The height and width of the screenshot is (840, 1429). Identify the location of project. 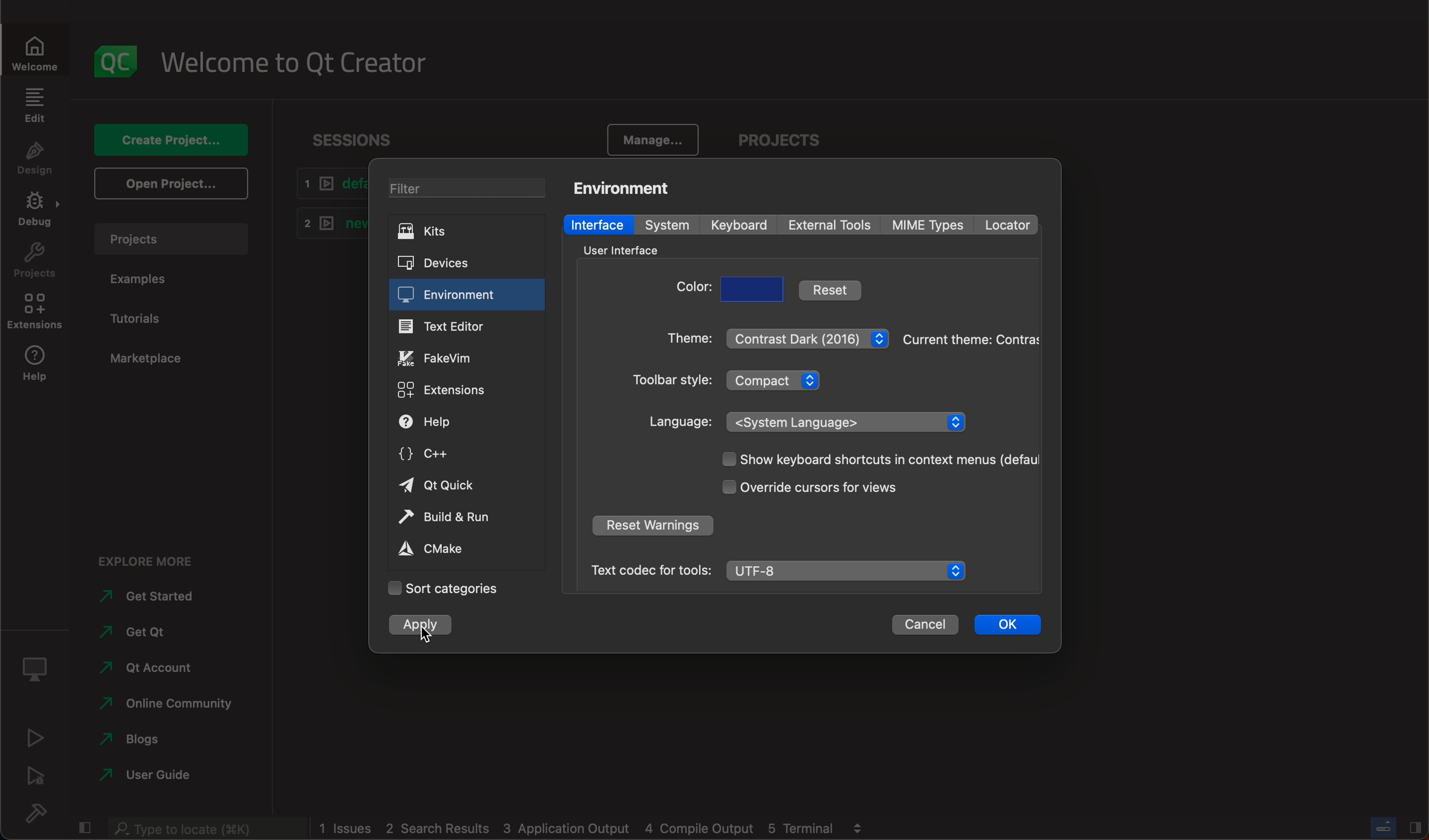
(36, 264).